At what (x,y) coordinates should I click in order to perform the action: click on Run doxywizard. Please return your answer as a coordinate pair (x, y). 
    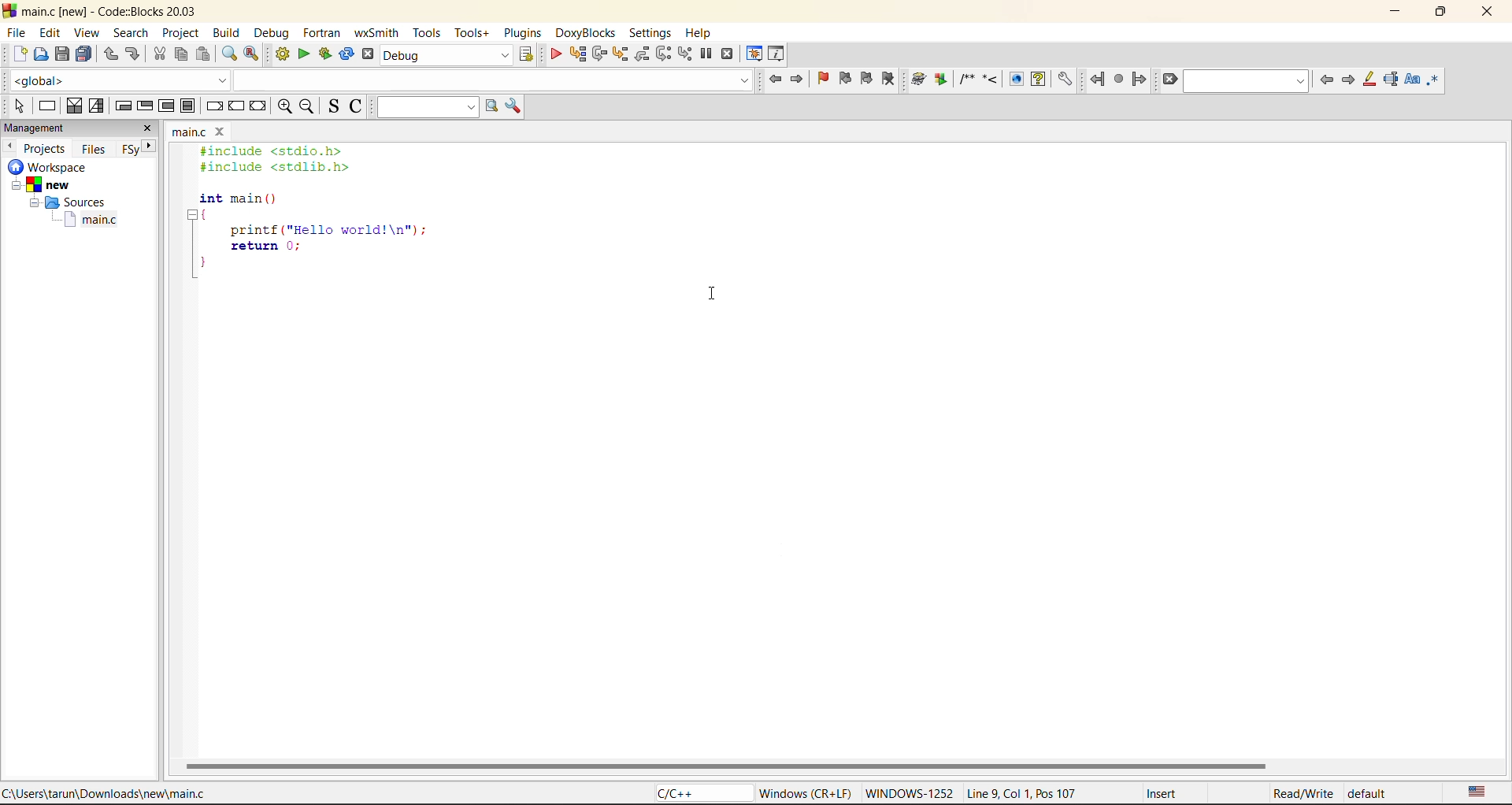
    Looking at the image, I should click on (917, 80).